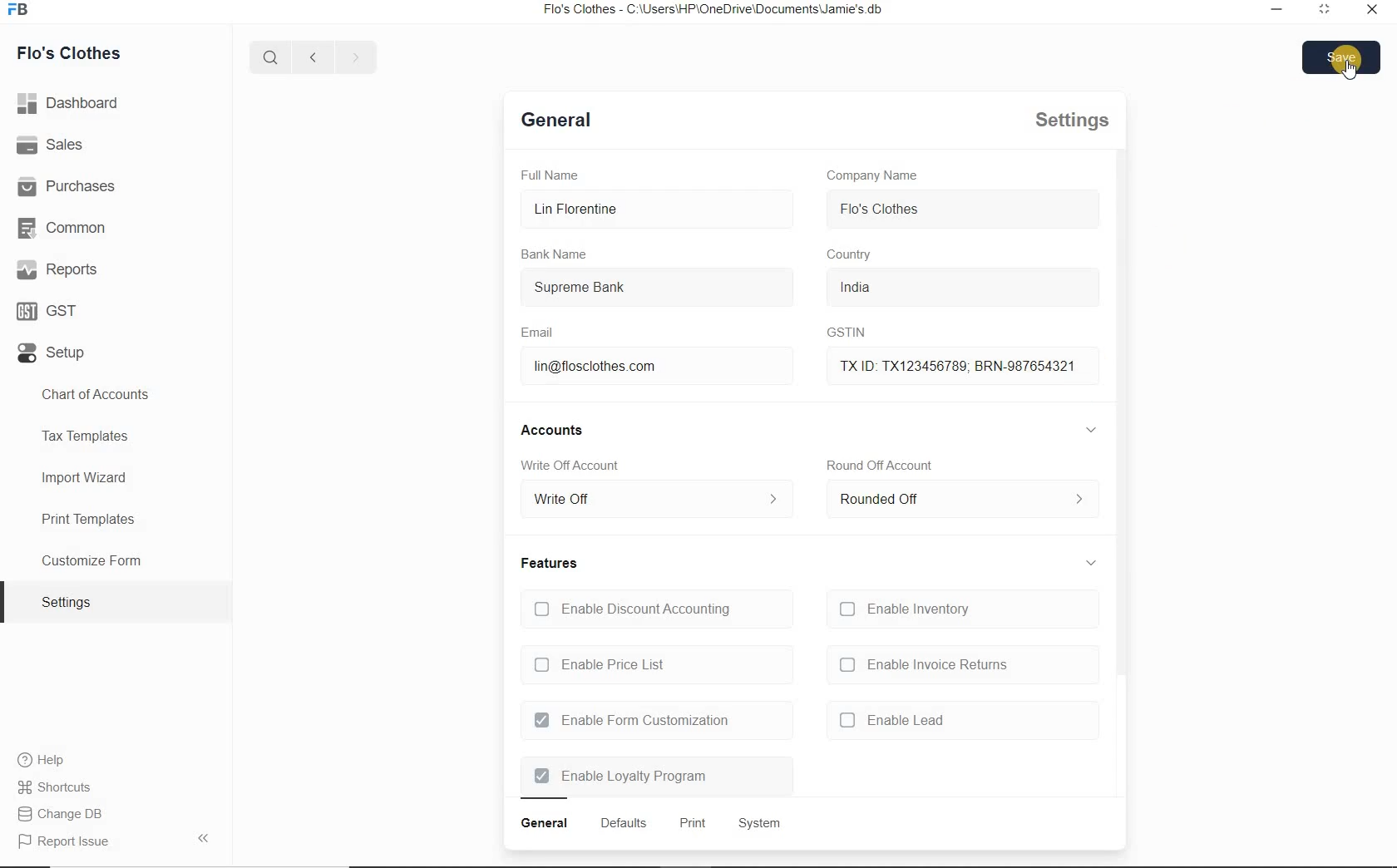 This screenshot has width=1397, height=868. I want to click on Tax Templates, so click(87, 437).